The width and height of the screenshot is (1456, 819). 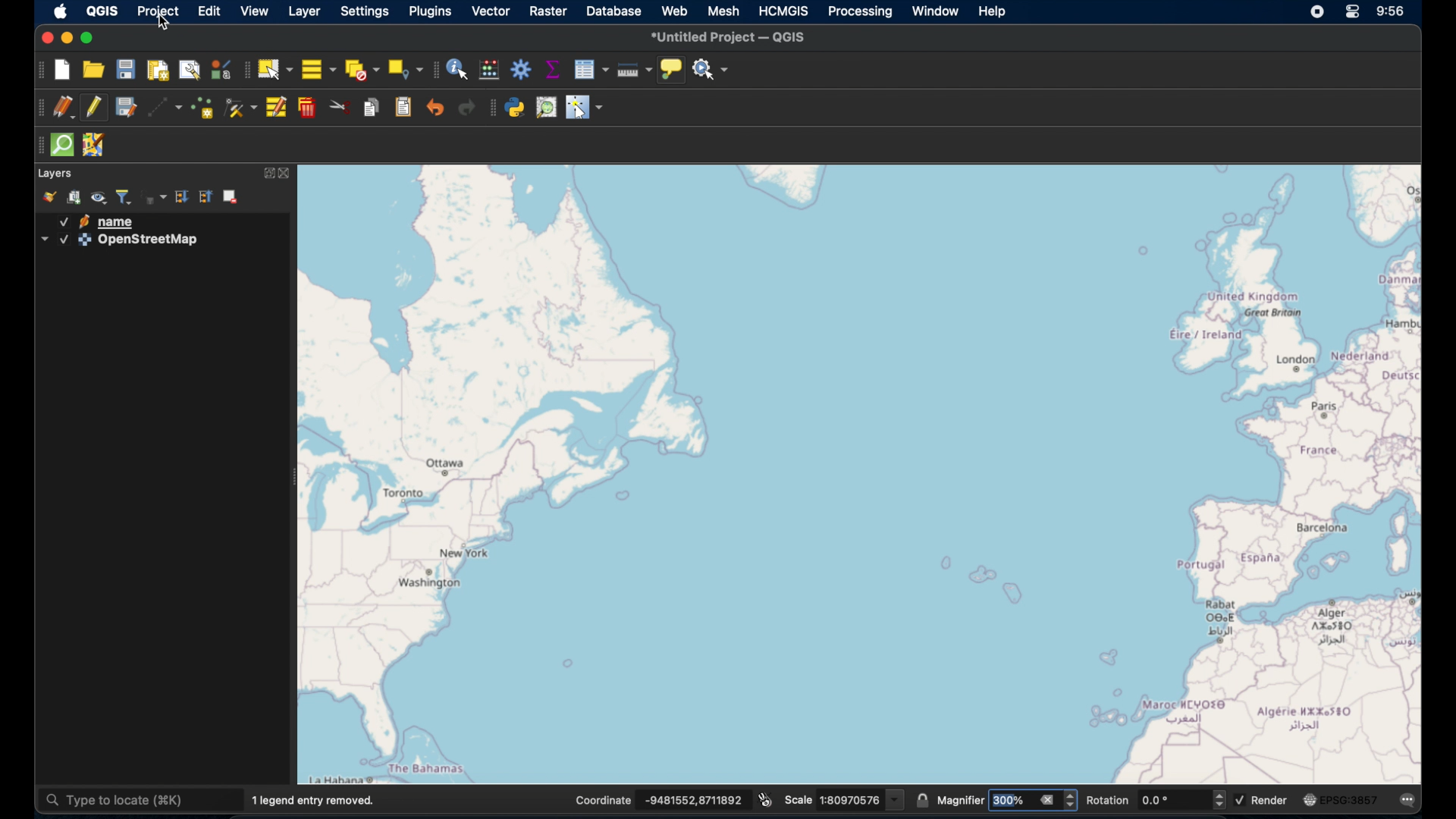 What do you see at coordinates (468, 110) in the screenshot?
I see `redo` at bounding box center [468, 110].